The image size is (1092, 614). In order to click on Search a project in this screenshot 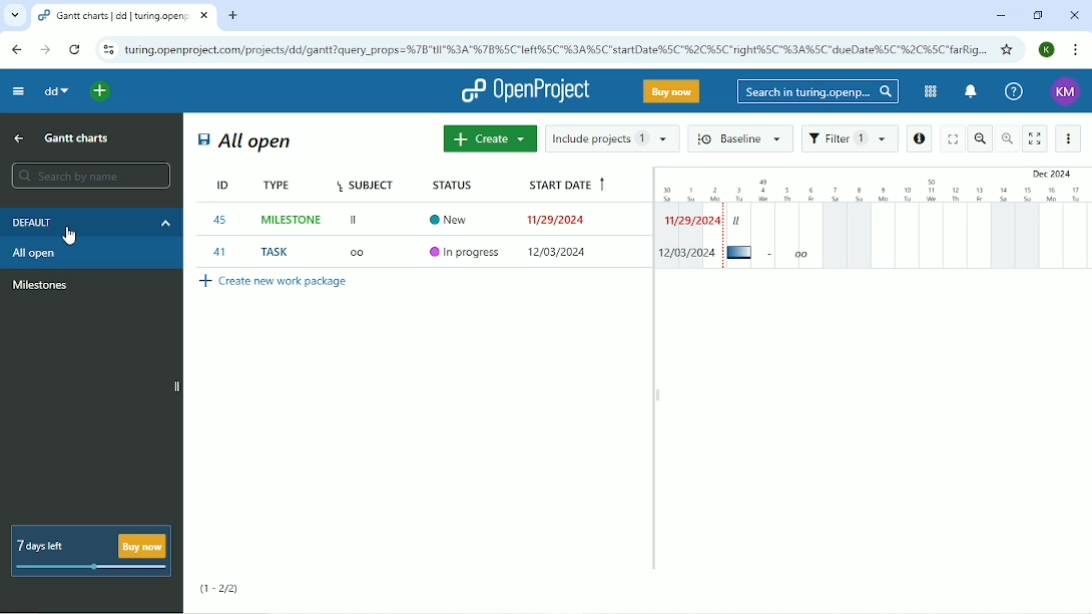, I will do `click(102, 93)`.